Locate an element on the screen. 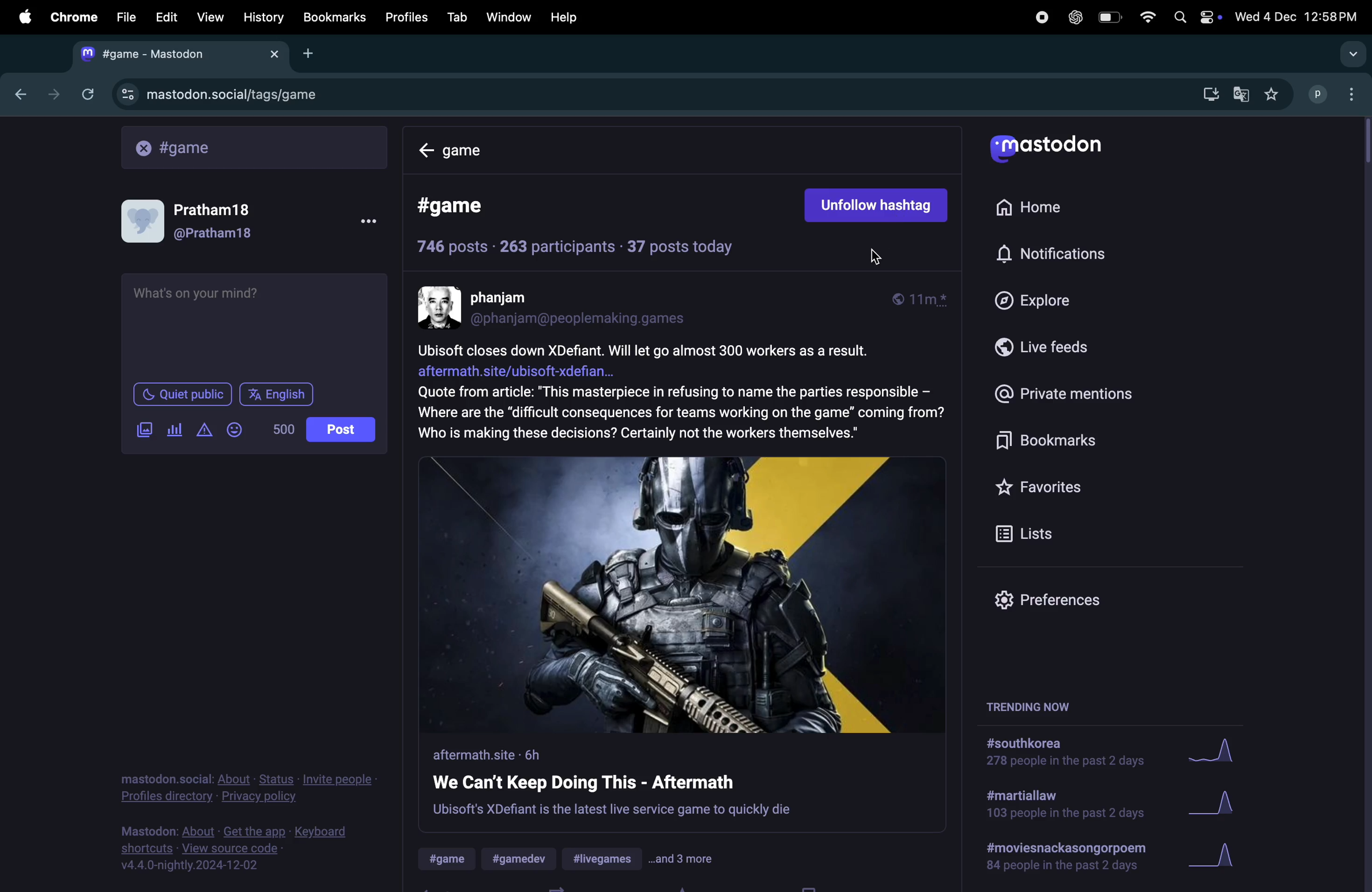  refresh is located at coordinates (86, 94).